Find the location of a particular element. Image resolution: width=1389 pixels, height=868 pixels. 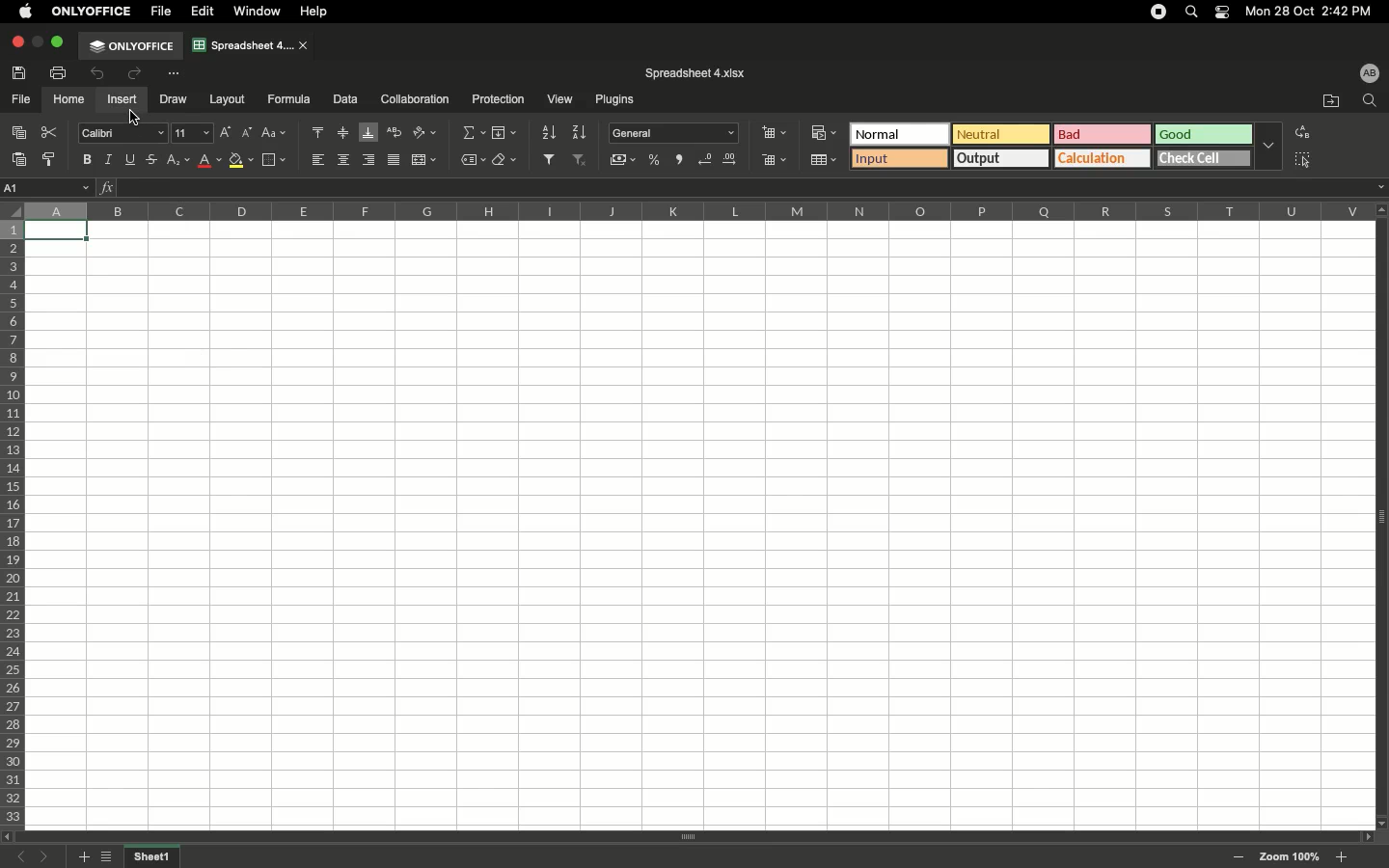

scroll right is located at coordinates (1364, 837).